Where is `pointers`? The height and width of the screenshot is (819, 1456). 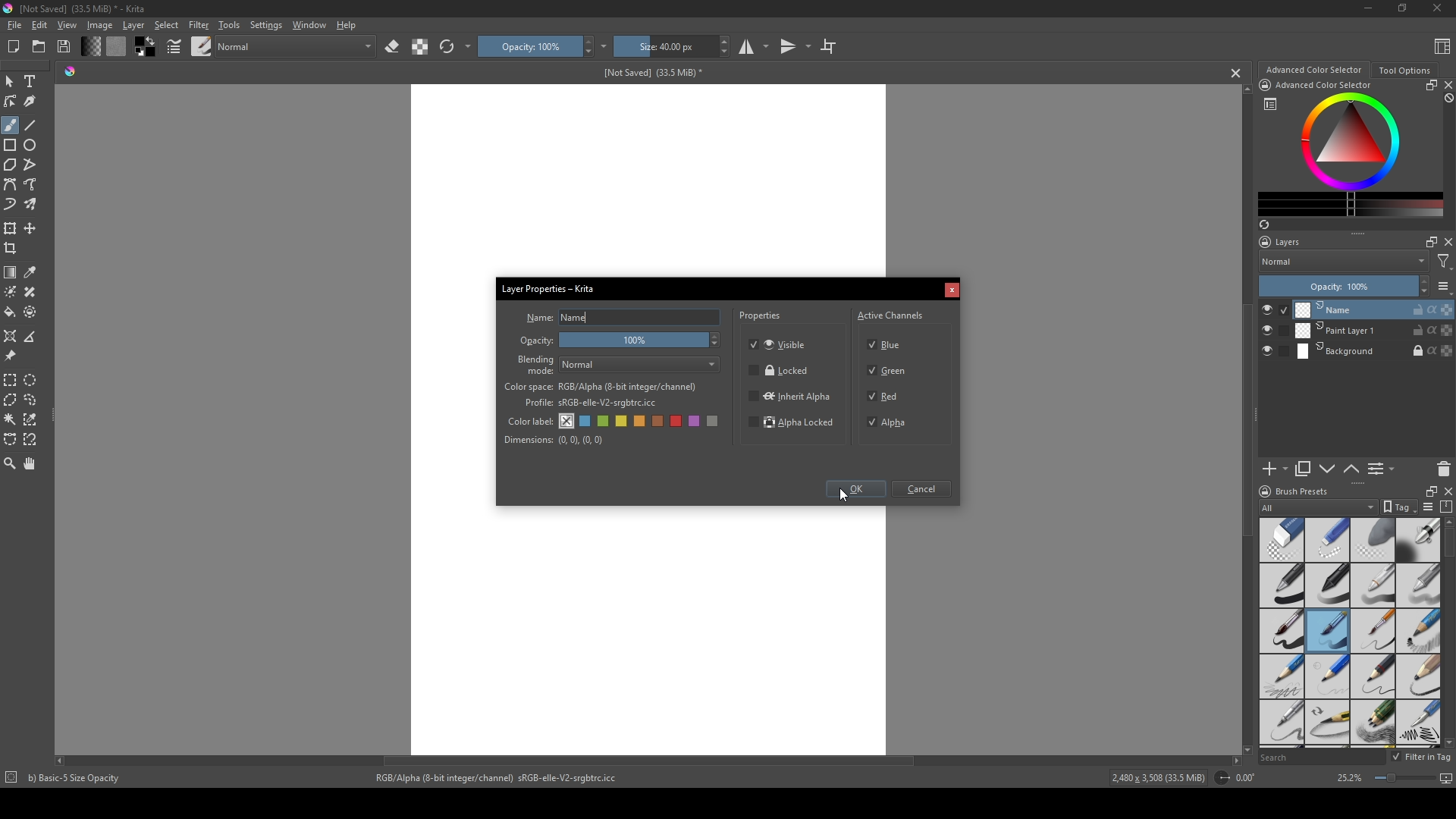 pointers is located at coordinates (174, 47).